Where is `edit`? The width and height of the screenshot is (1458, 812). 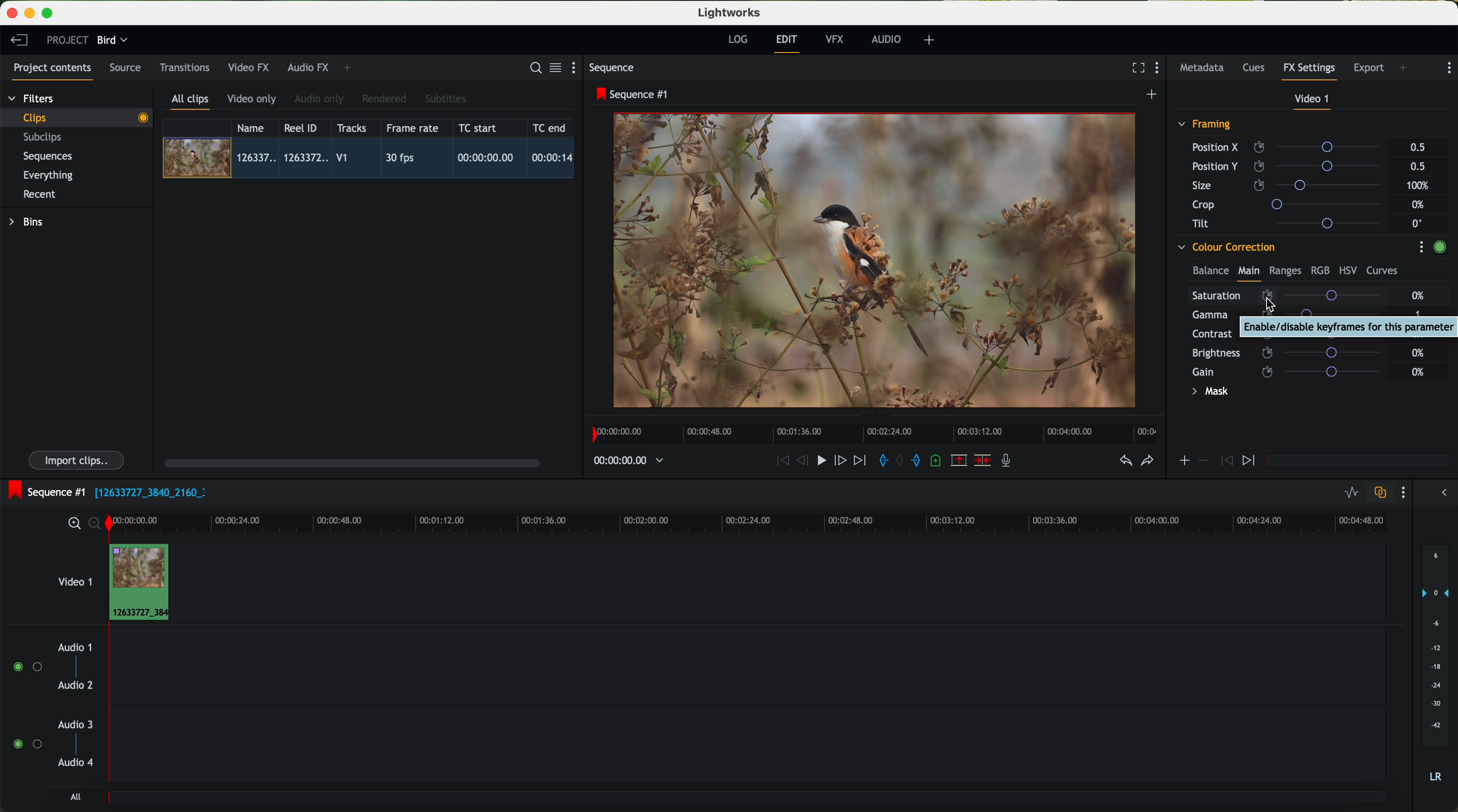 edit is located at coordinates (788, 42).